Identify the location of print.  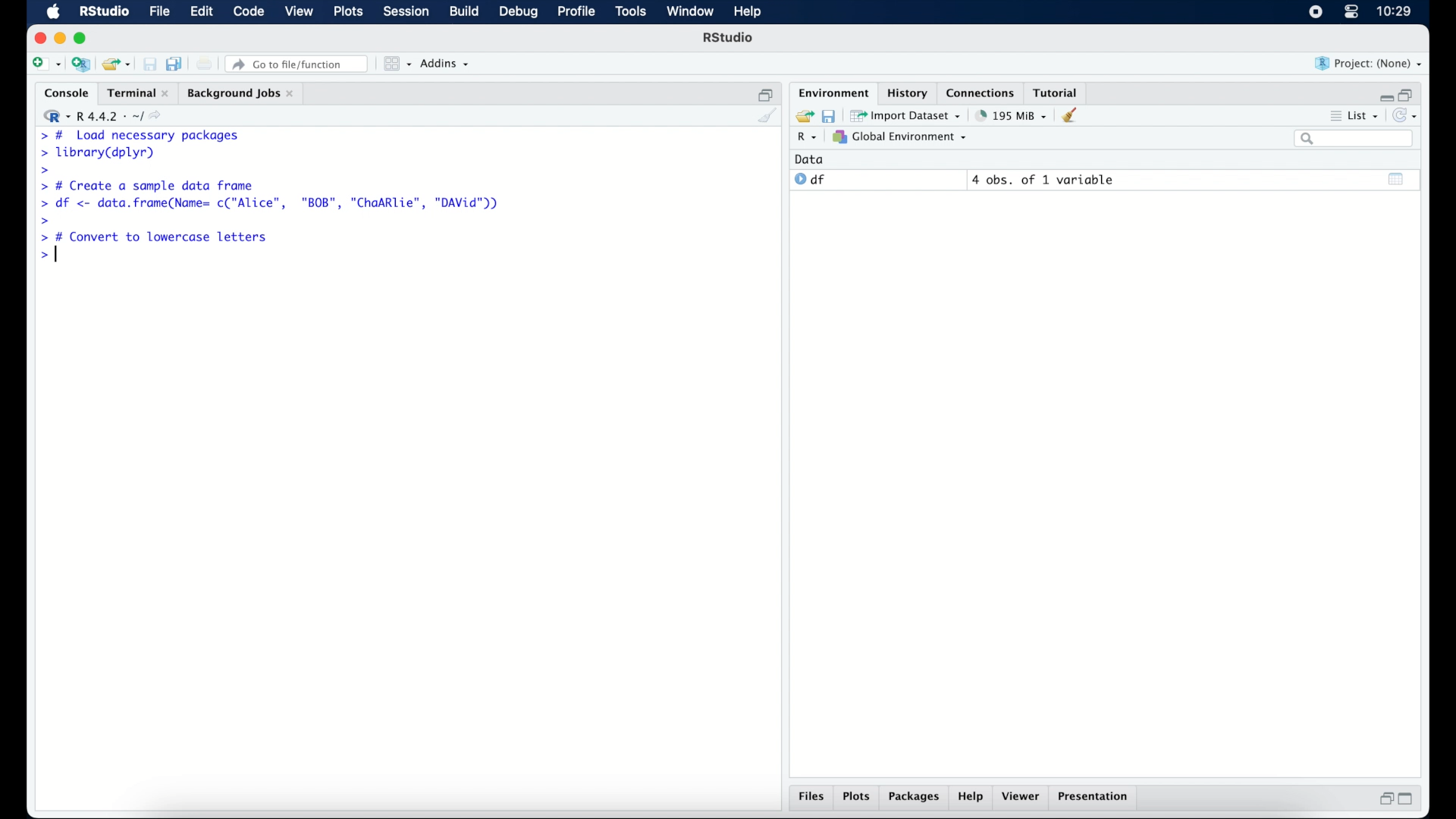
(205, 64).